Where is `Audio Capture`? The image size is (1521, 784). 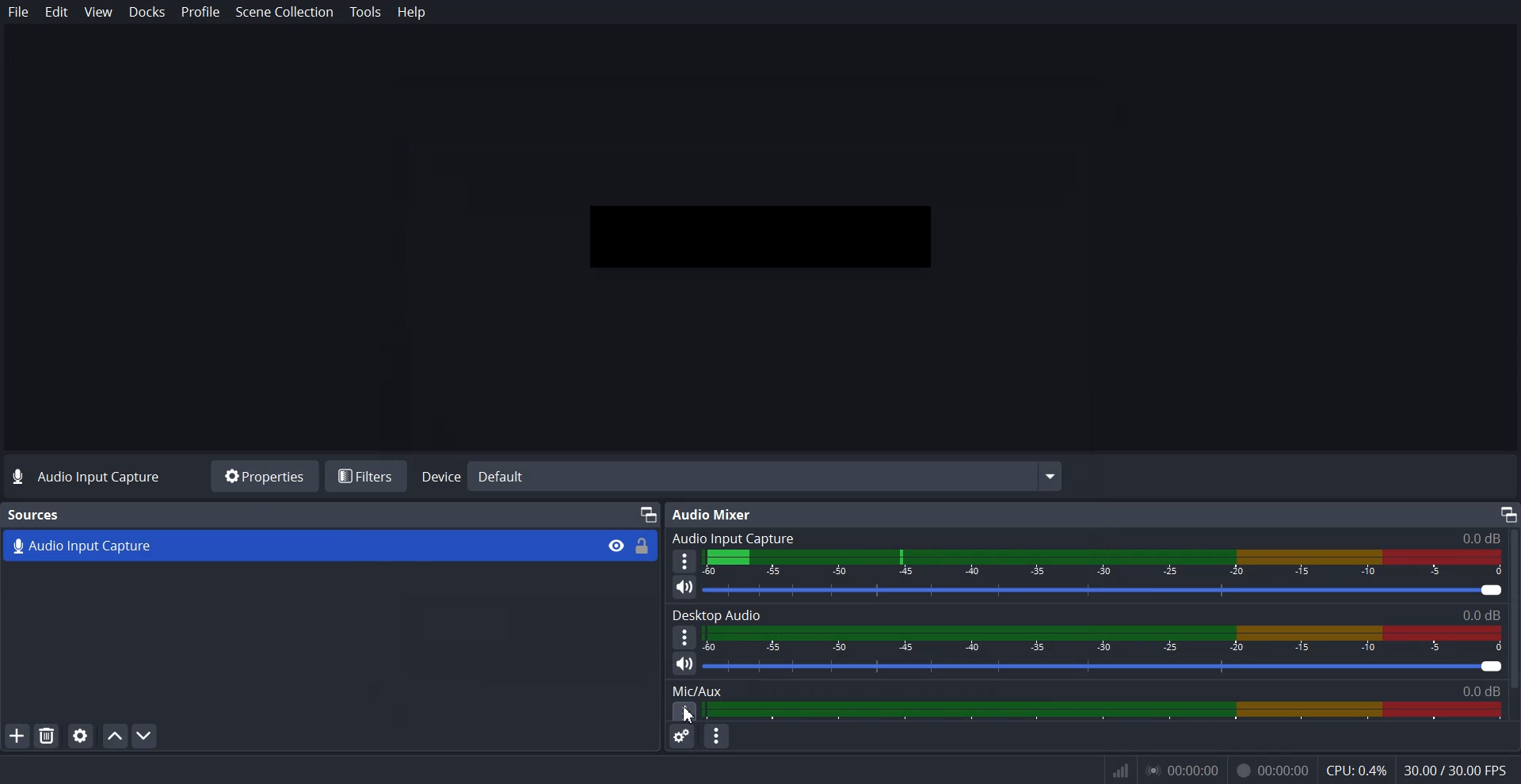 Audio Capture is located at coordinates (293, 545).